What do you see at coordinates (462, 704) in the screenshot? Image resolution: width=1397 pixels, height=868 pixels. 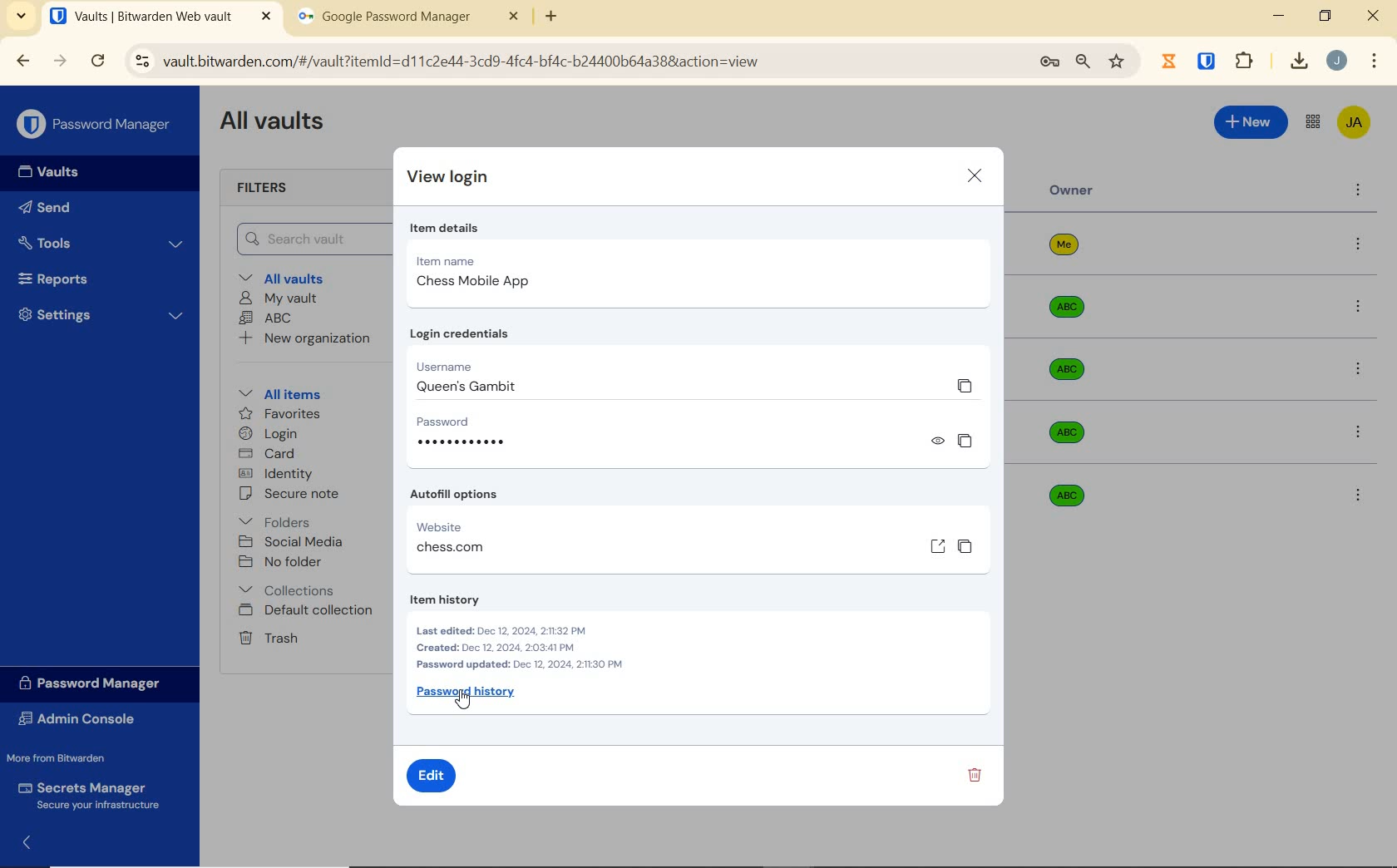 I see `cursor` at bounding box center [462, 704].